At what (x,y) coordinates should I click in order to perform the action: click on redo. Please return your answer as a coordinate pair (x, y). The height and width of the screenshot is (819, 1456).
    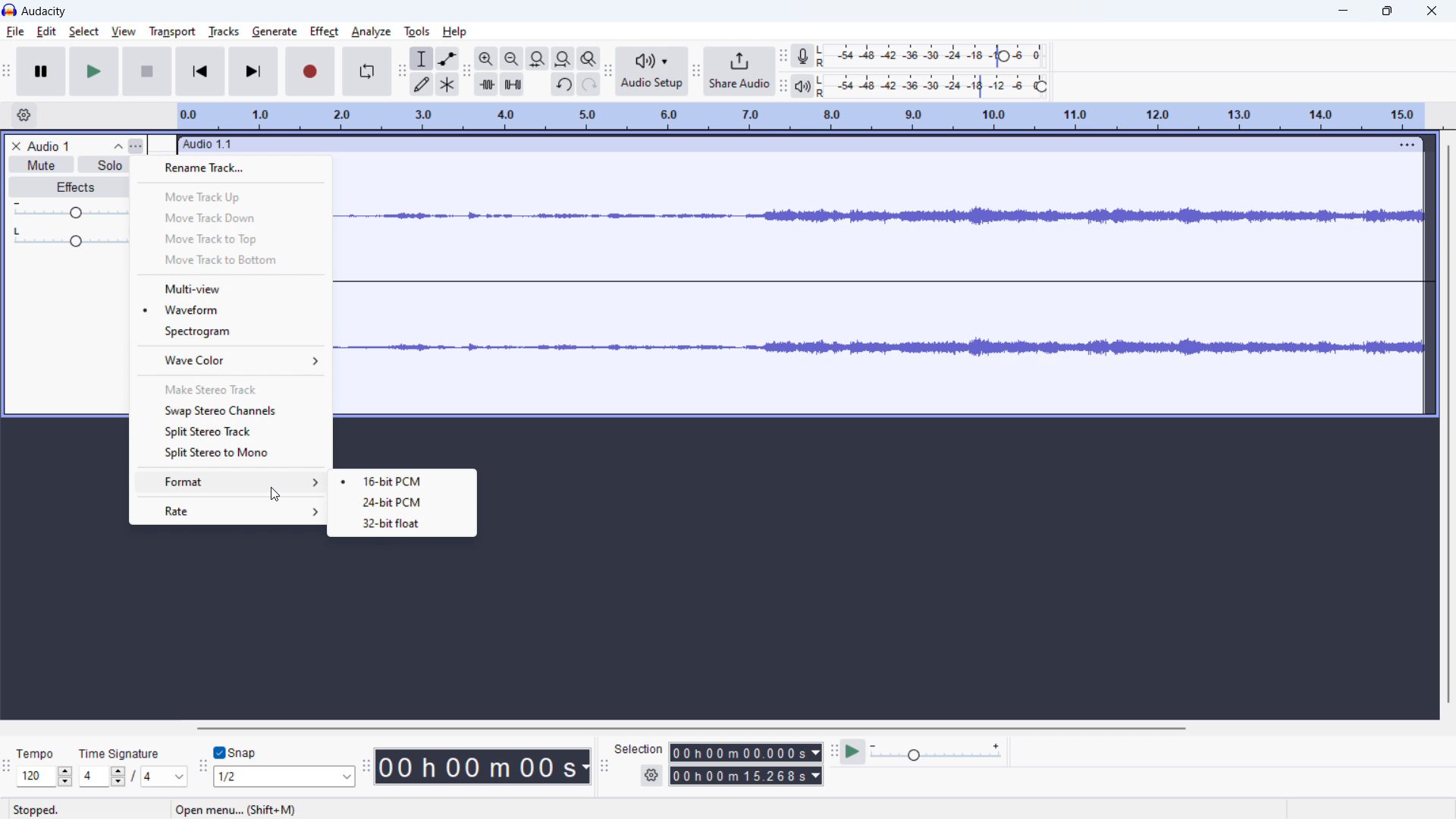
    Looking at the image, I should click on (589, 84).